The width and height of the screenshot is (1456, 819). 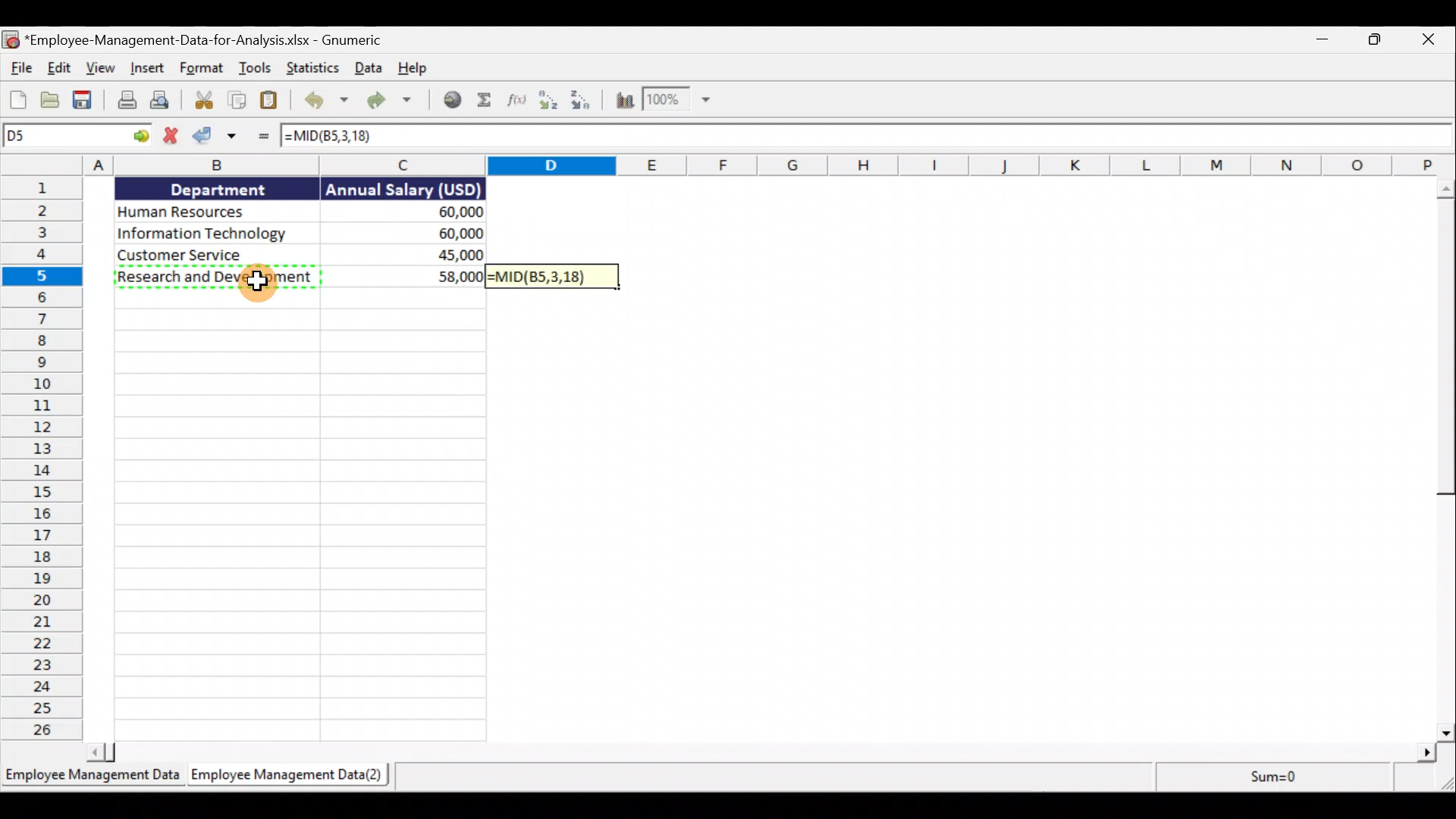 What do you see at coordinates (41, 460) in the screenshot?
I see `Rows` at bounding box center [41, 460].